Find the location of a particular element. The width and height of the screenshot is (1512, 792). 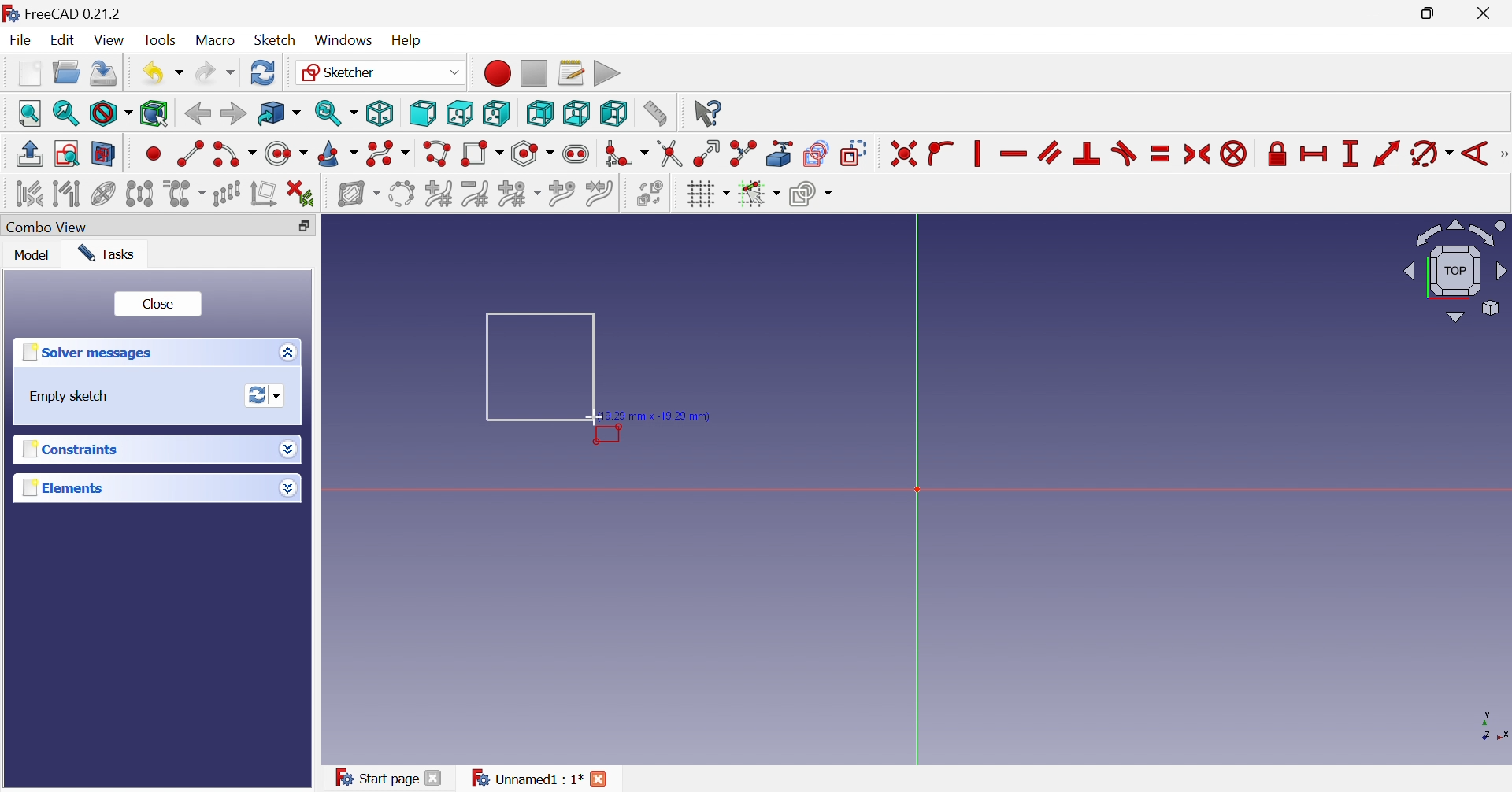

Show/hide B-spline information layer is located at coordinates (359, 194).